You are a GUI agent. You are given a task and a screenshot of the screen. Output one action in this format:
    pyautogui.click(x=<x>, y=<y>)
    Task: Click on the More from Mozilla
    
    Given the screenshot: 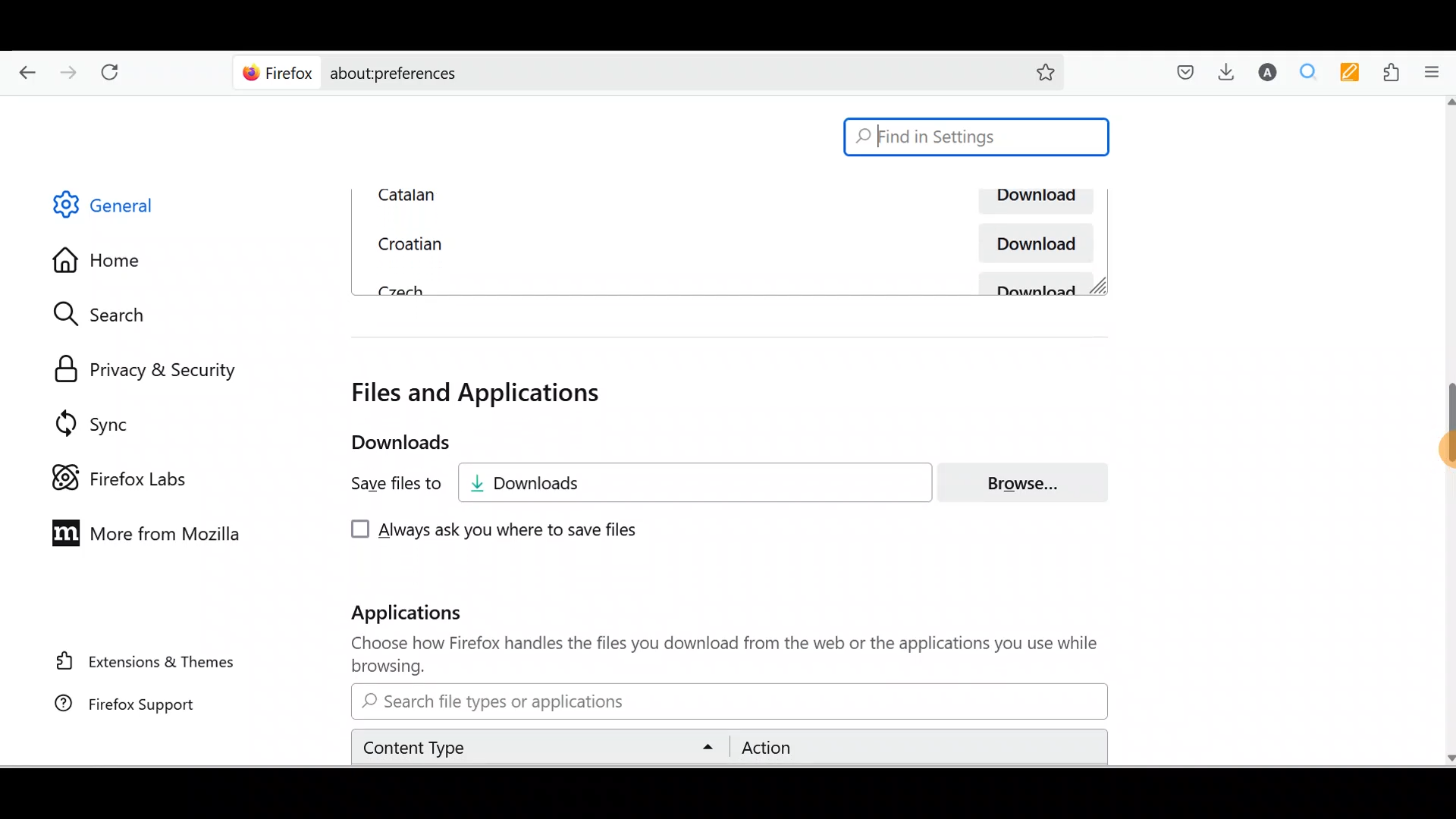 What is the action you would take?
    pyautogui.click(x=149, y=535)
    